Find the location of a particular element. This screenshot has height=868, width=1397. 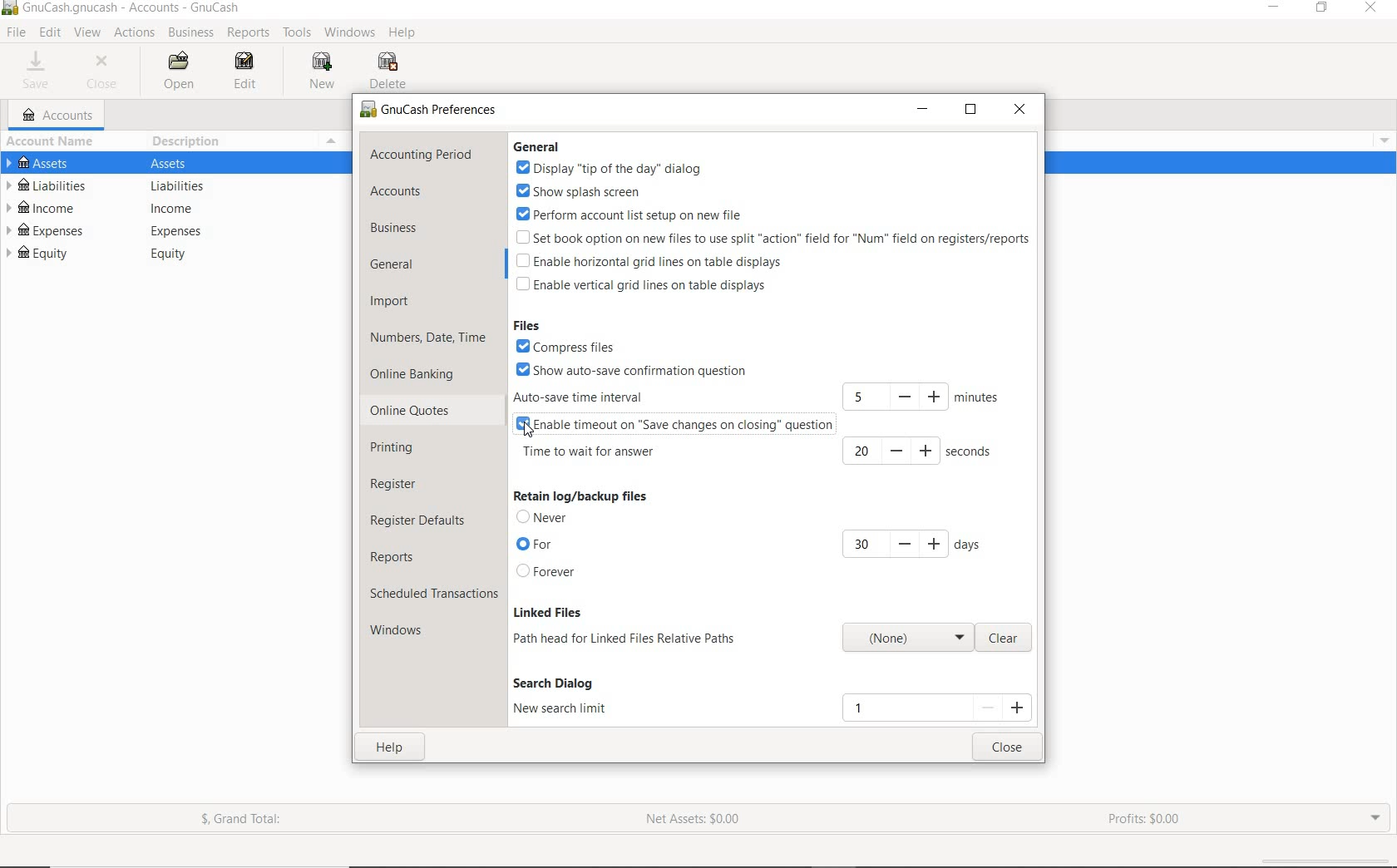

CLOSE is located at coordinates (1373, 9).